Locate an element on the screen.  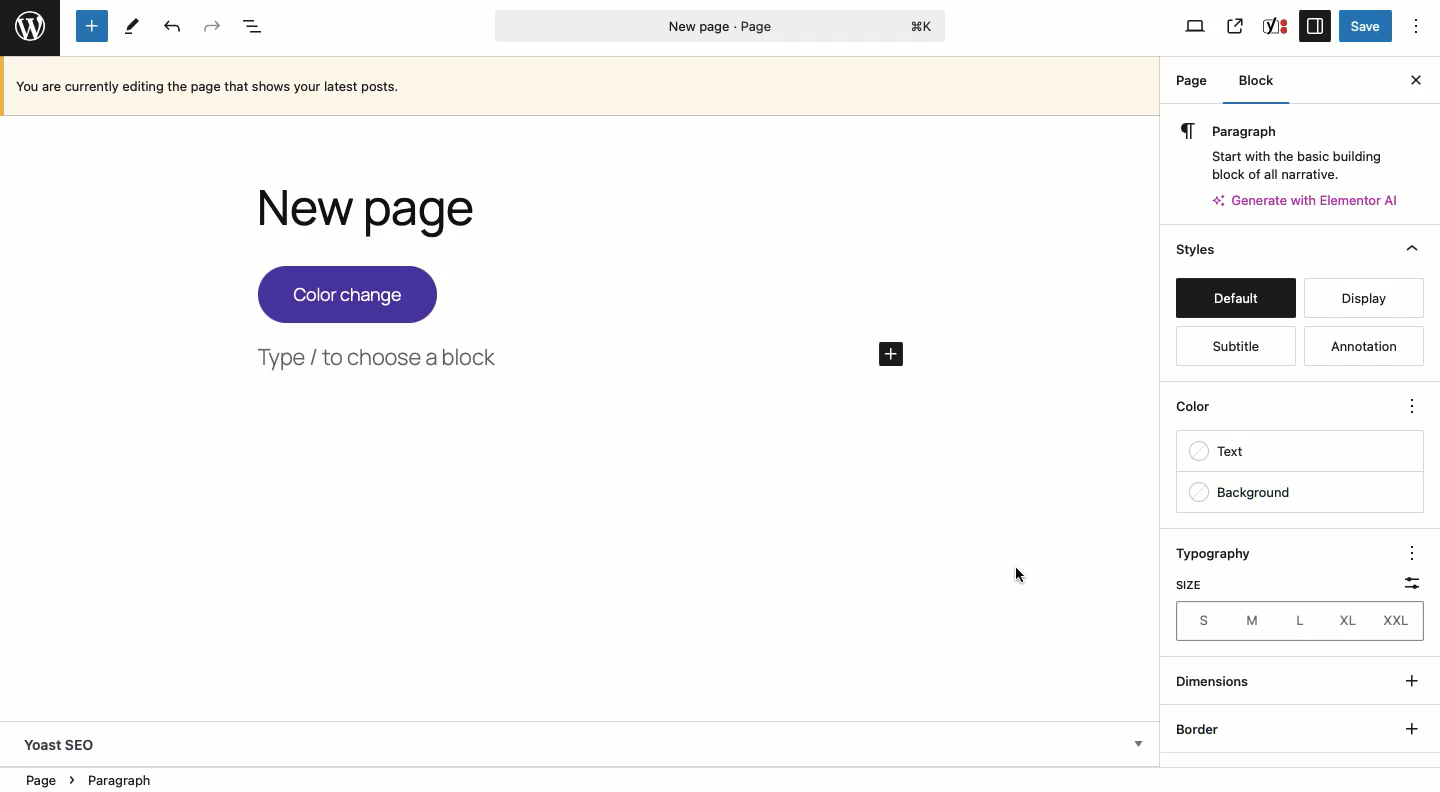
add block is located at coordinates (887, 356).